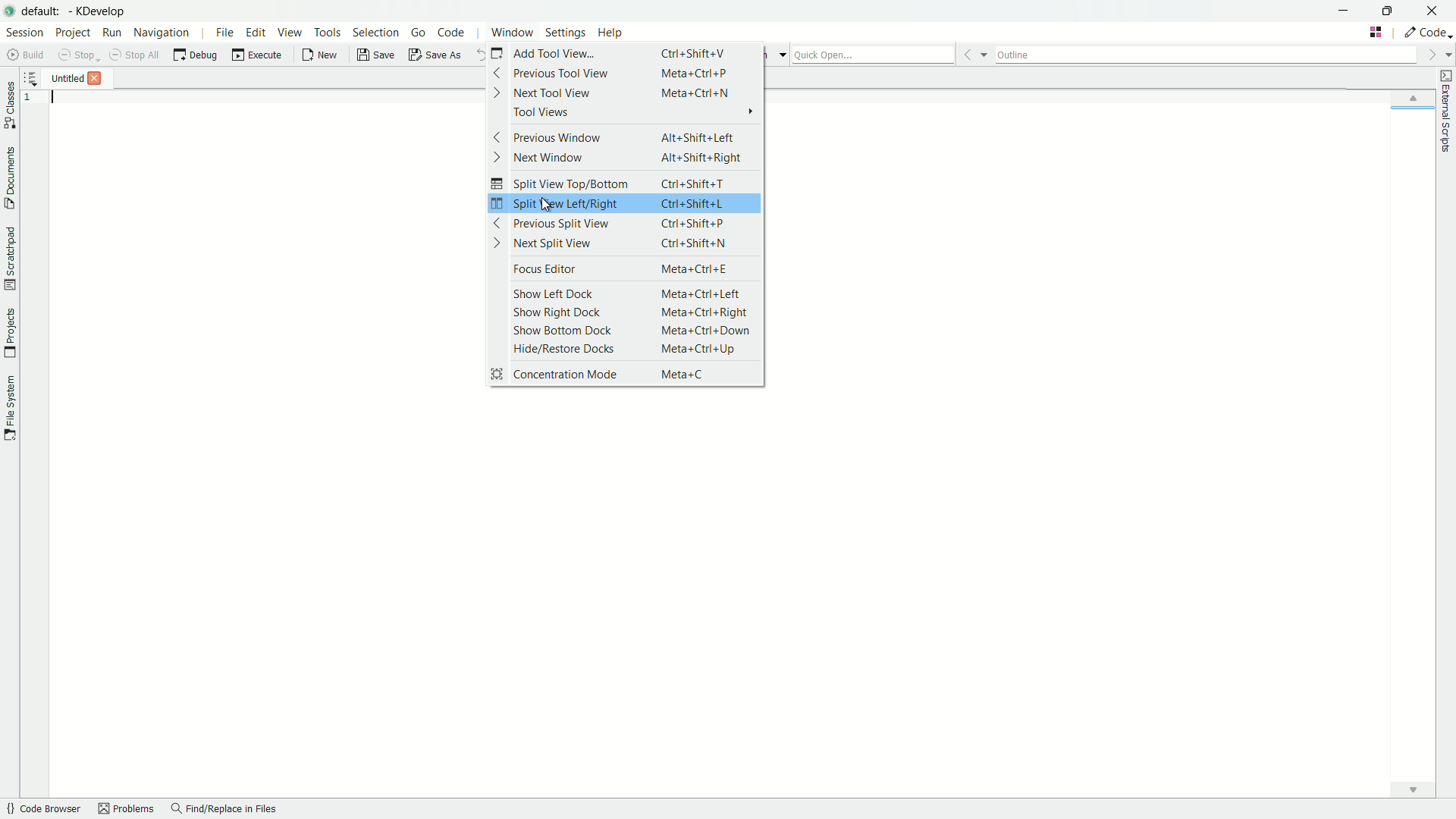 The width and height of the screenshot is (1456, 819). What do you see at coordinates (227, 32) in the screenshot?
I see `file menu` at bounding box center [227, 32].